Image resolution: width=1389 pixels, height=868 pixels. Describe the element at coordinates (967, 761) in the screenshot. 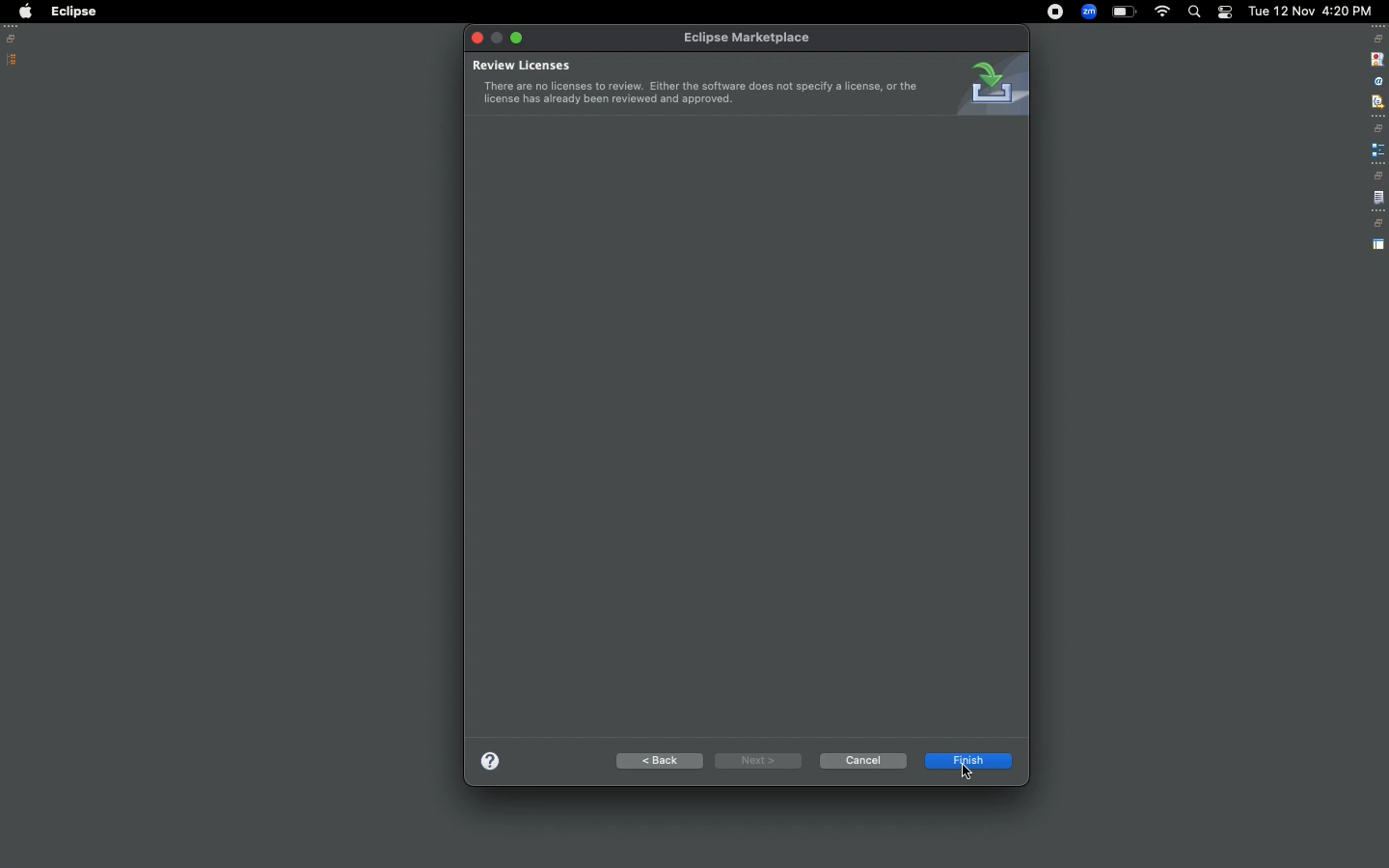

I see `Finish` at that location.